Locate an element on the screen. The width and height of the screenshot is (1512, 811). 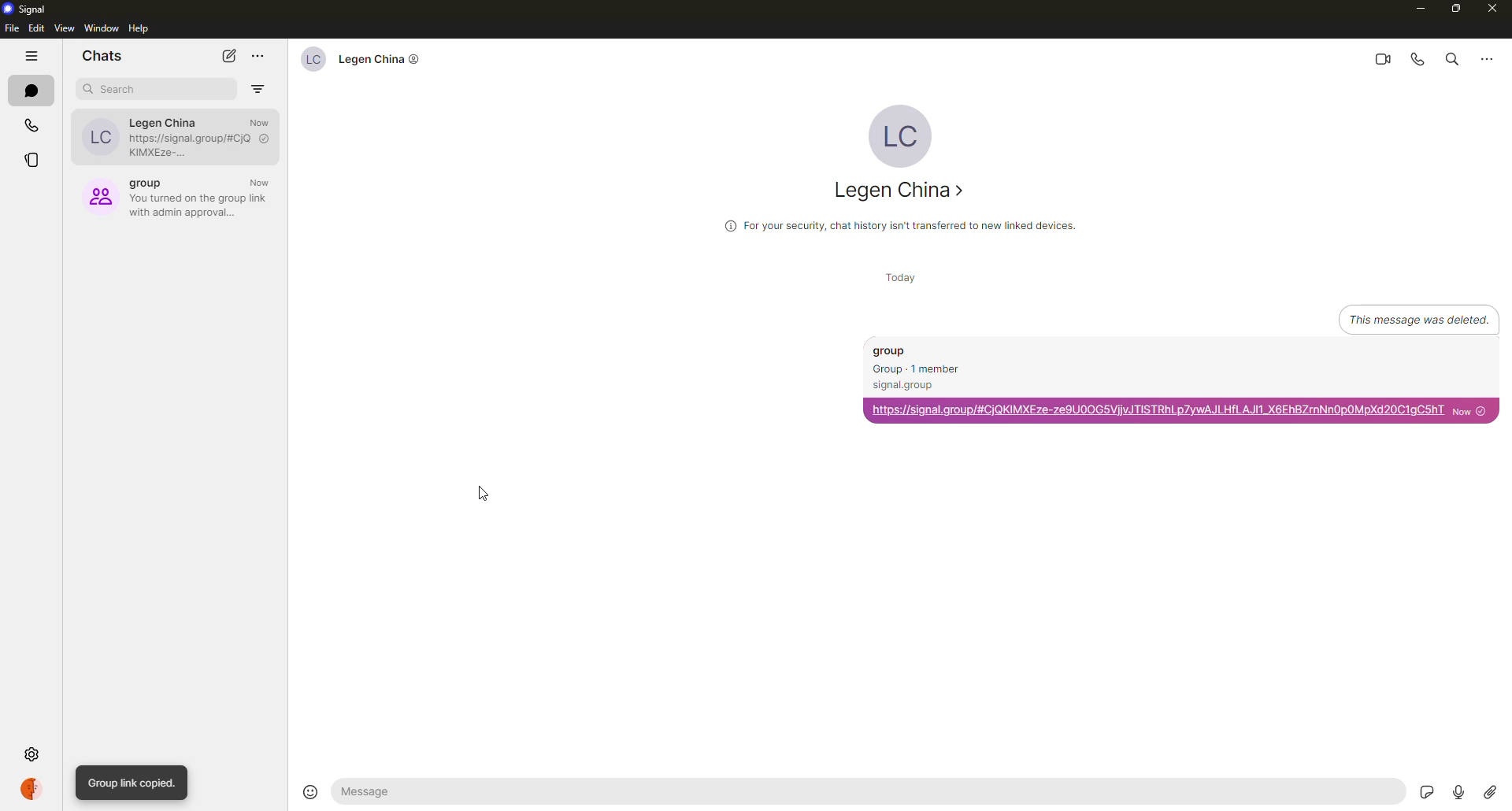
more is located at coordinates (258, 56).